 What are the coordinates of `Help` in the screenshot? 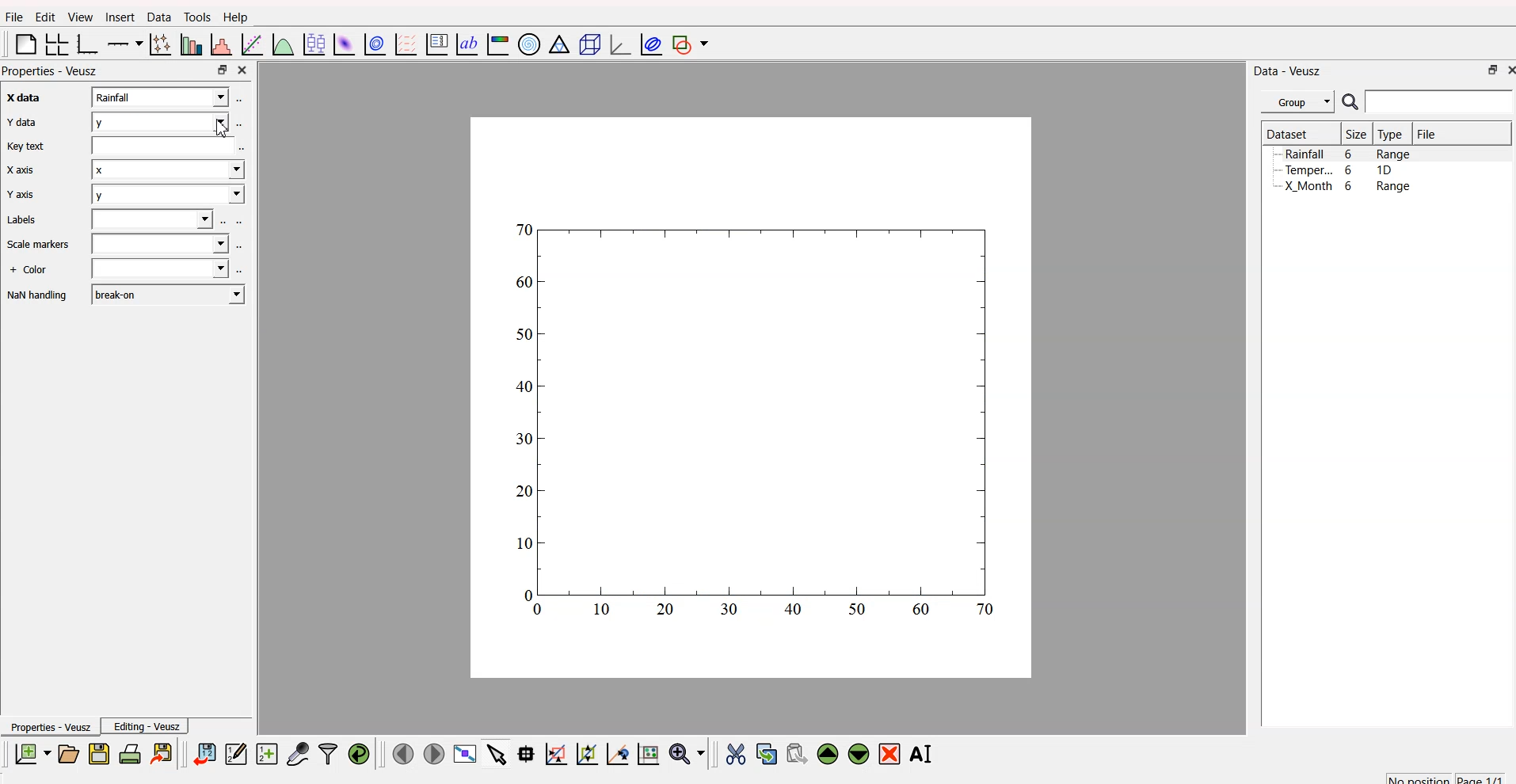 It's located at (235, 17).